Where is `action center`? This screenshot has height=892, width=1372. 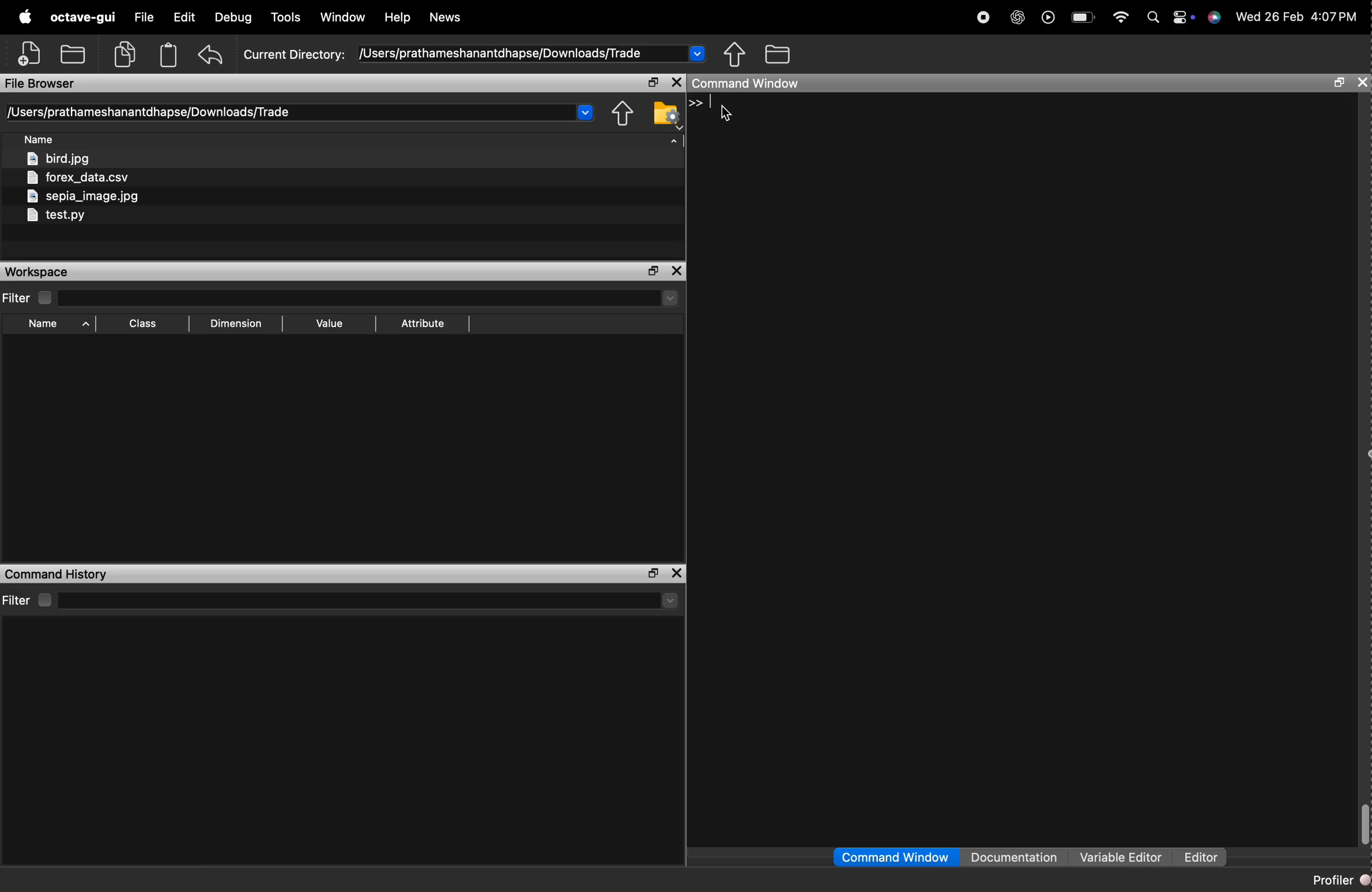
action center is located at coordinates (1185, 18).